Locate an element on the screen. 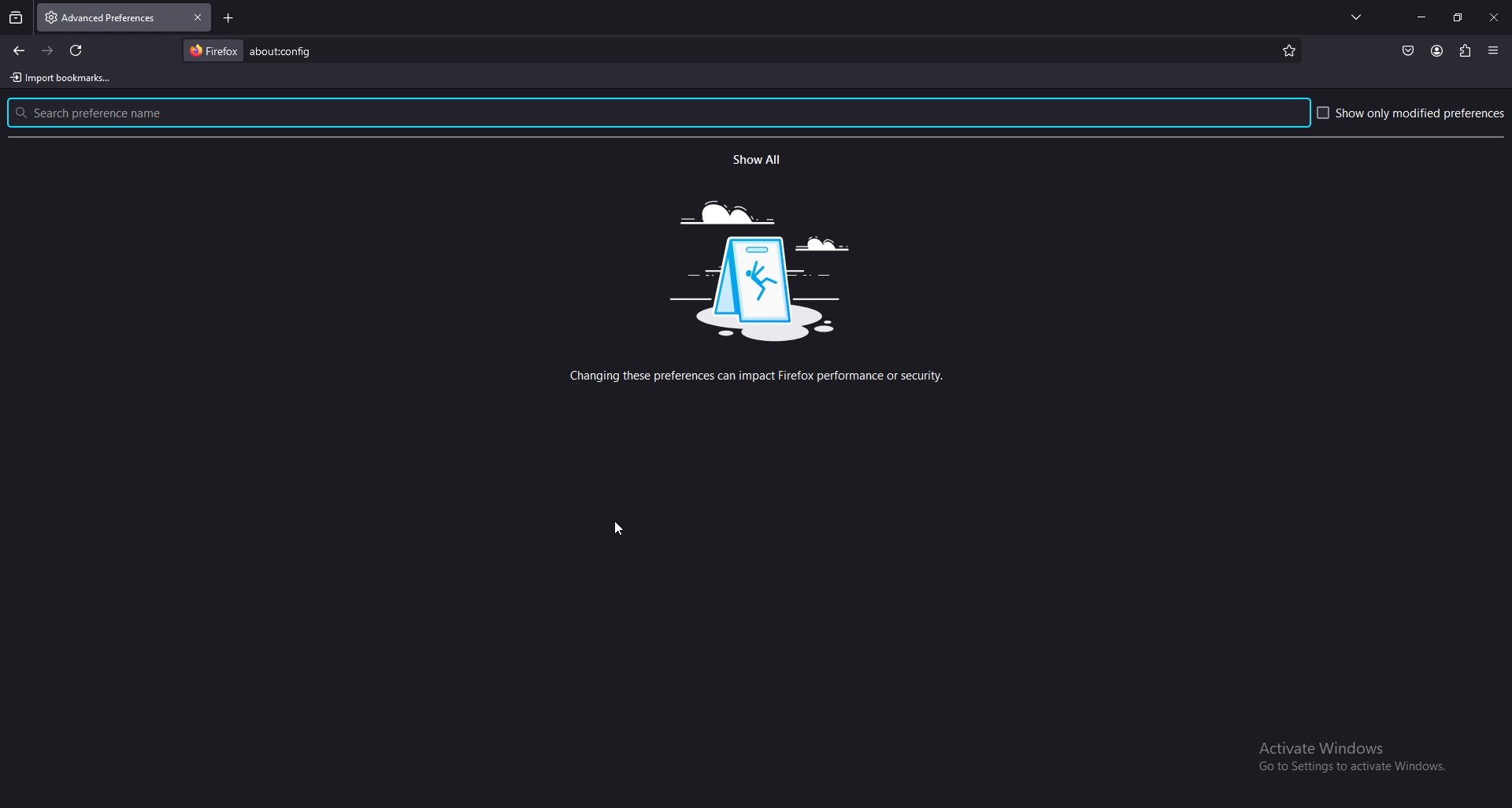 The image size is (1512, 808). search preference name is located at coordinates (657, 113).